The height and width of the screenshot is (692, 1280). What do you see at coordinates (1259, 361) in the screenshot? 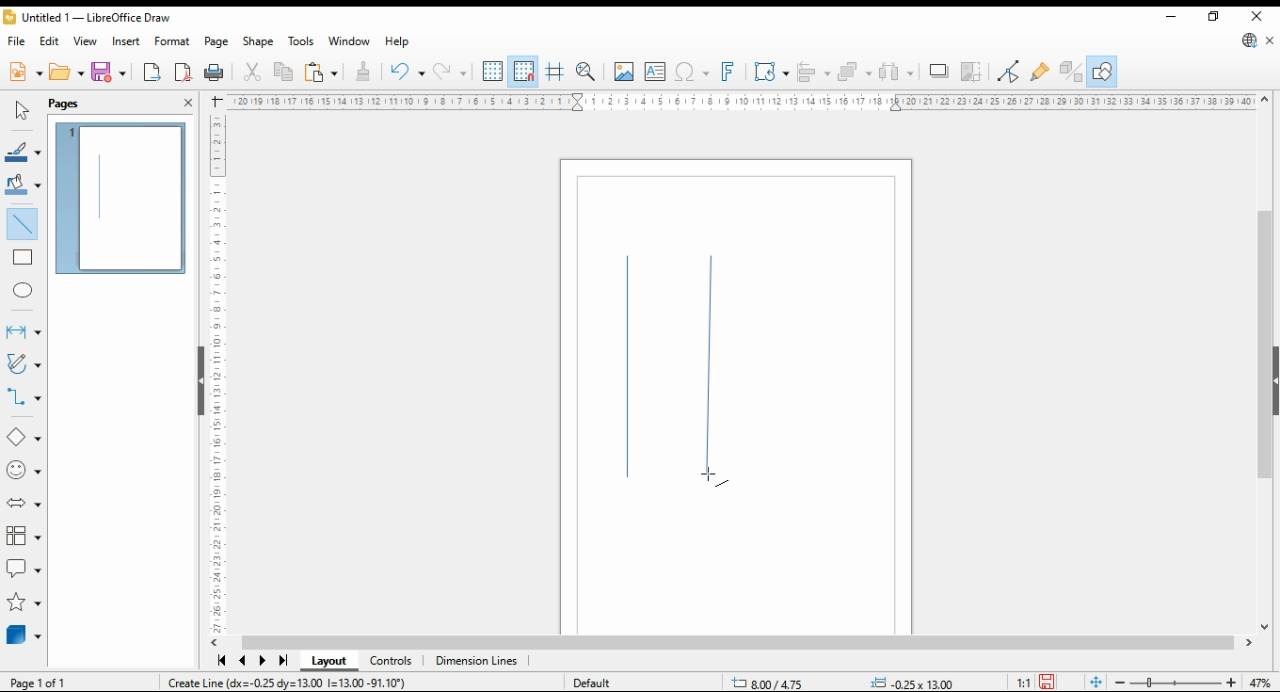
I see `scroll bar` at bounding box center [1259, 361].